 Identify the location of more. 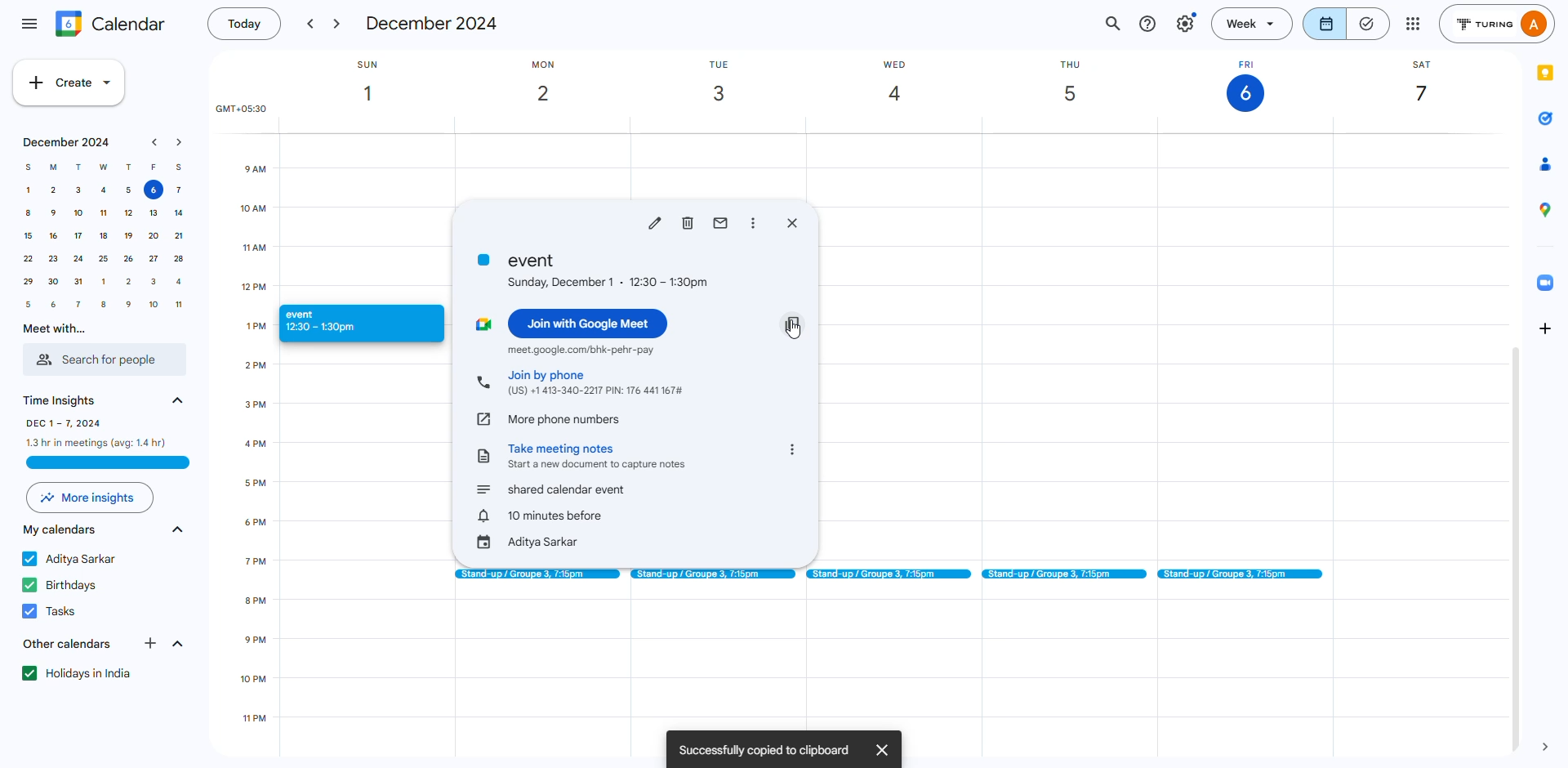
(755, 223).